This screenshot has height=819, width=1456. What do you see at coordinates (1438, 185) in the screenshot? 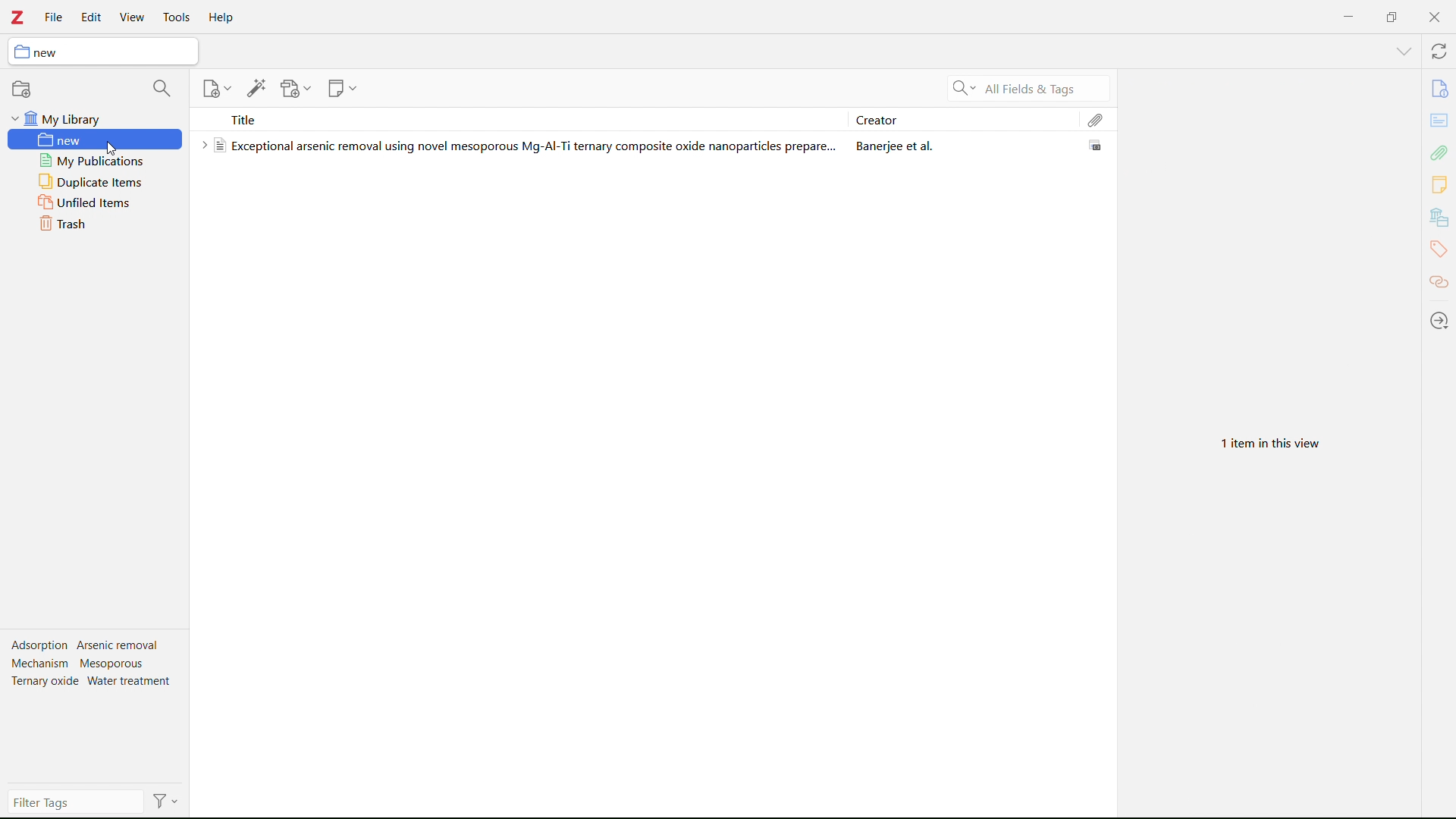
I see `notes` at bounding box center [1438, 185].